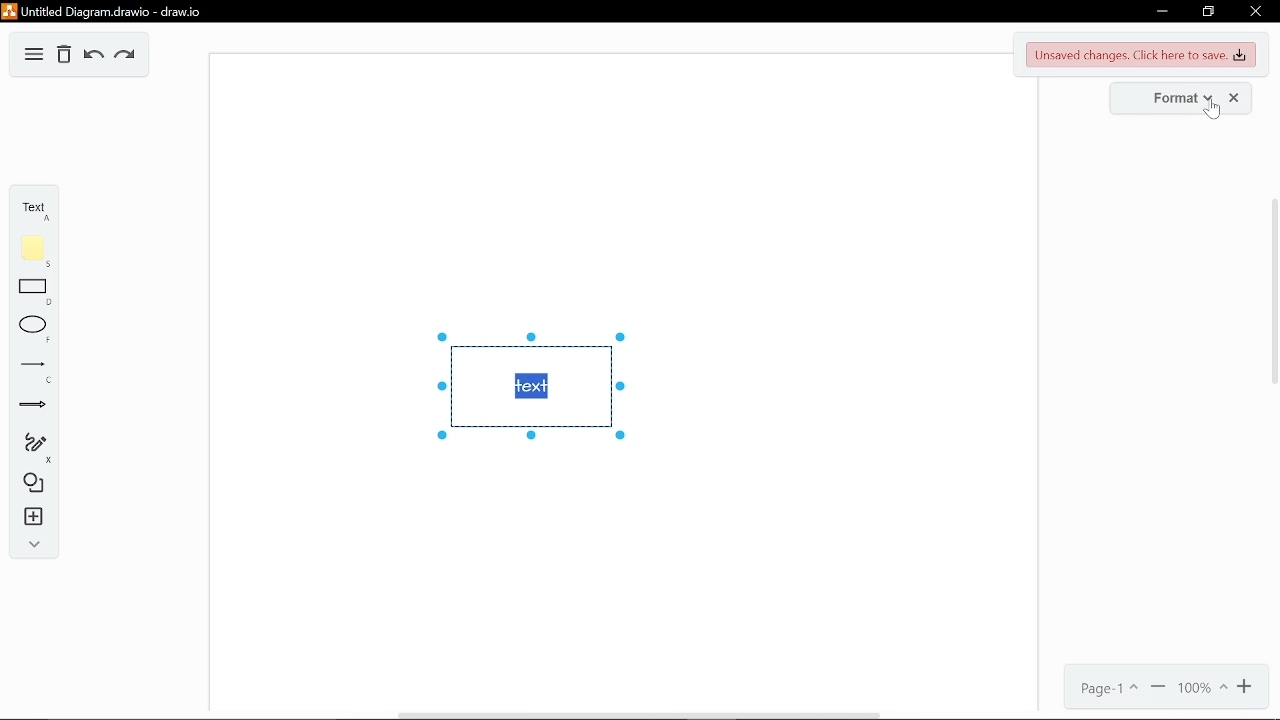 Image resolution: width=1280 pixels, height=720 pixels. I want to click on undo, so click(92, 56).